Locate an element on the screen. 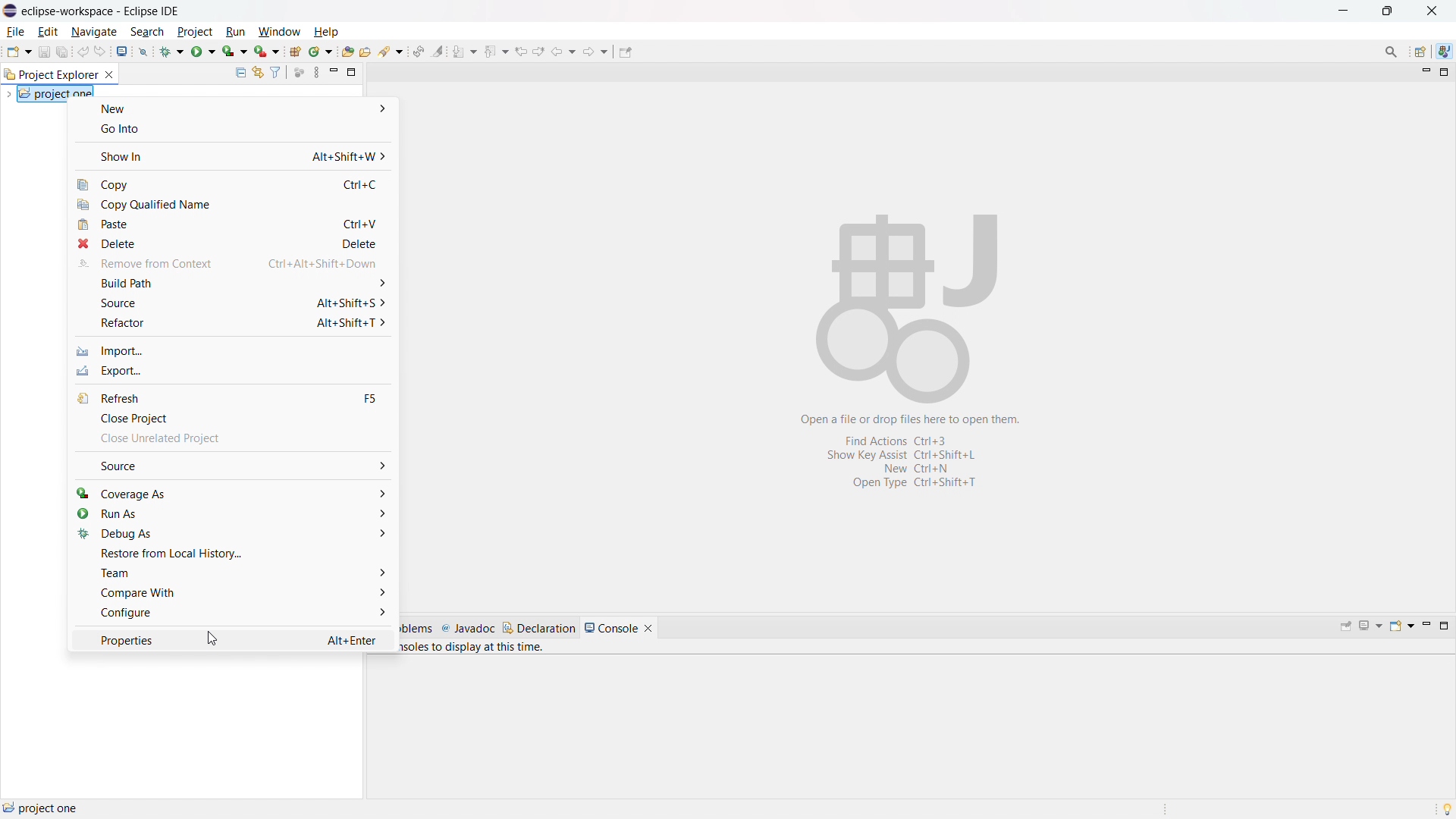 The height and width of the screenshot is (819, 1456). window is located at coordinates (278, 33).